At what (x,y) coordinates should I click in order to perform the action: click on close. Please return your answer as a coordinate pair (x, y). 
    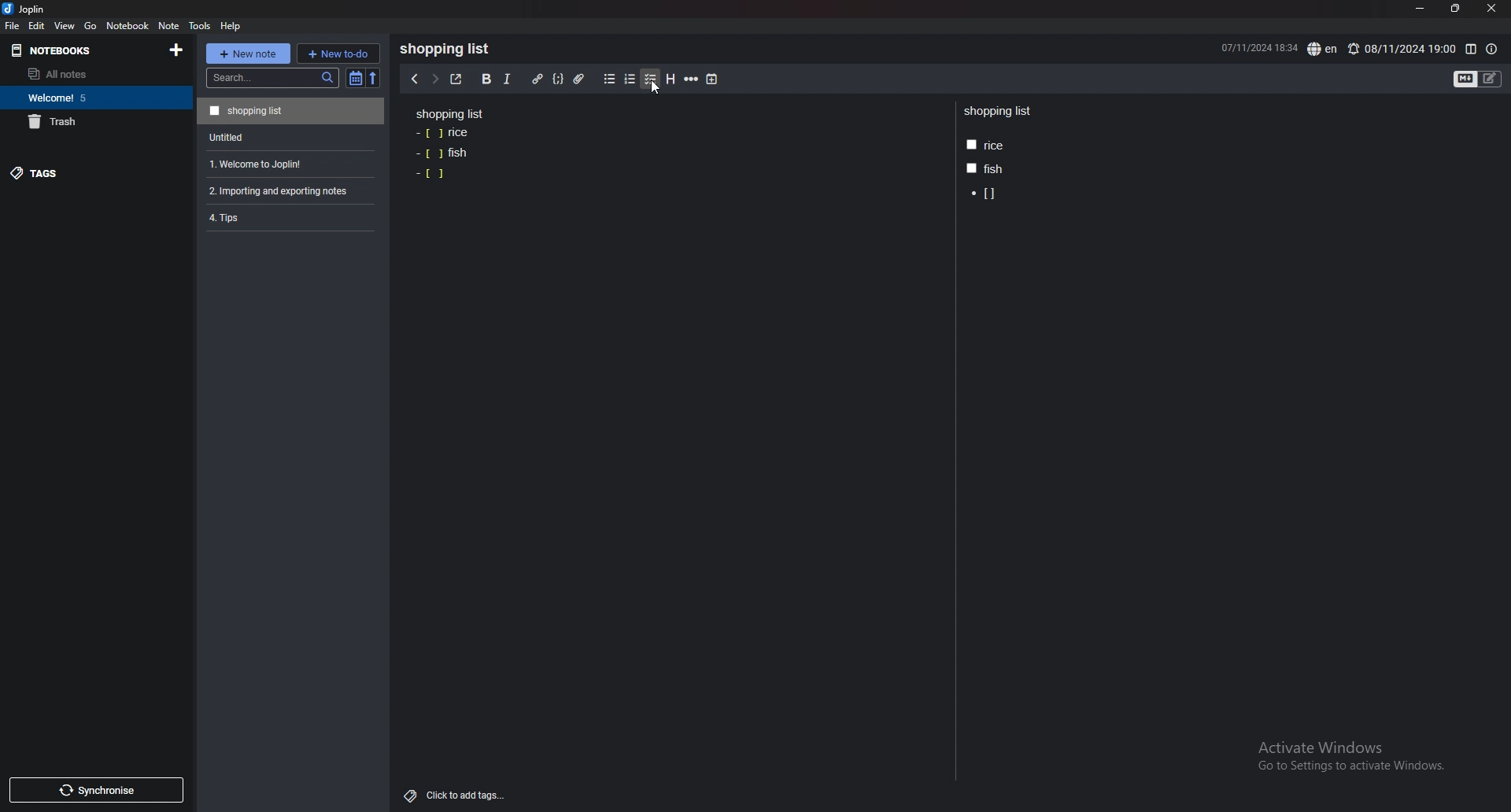
    Looking at the image, I should click on (1491, 9).